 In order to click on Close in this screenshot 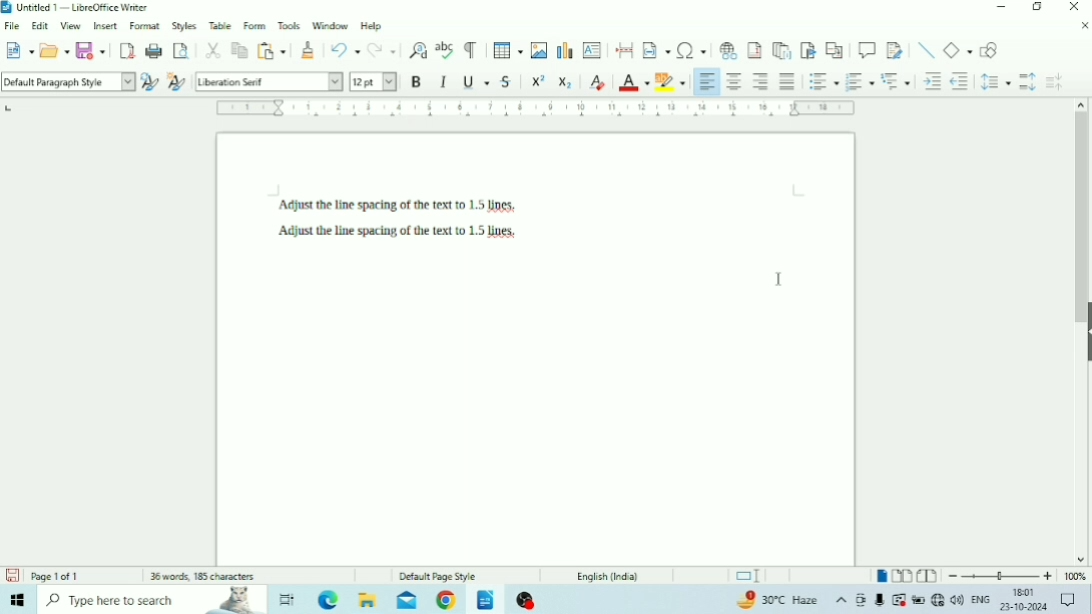, I will do `click(1075, 7)`.